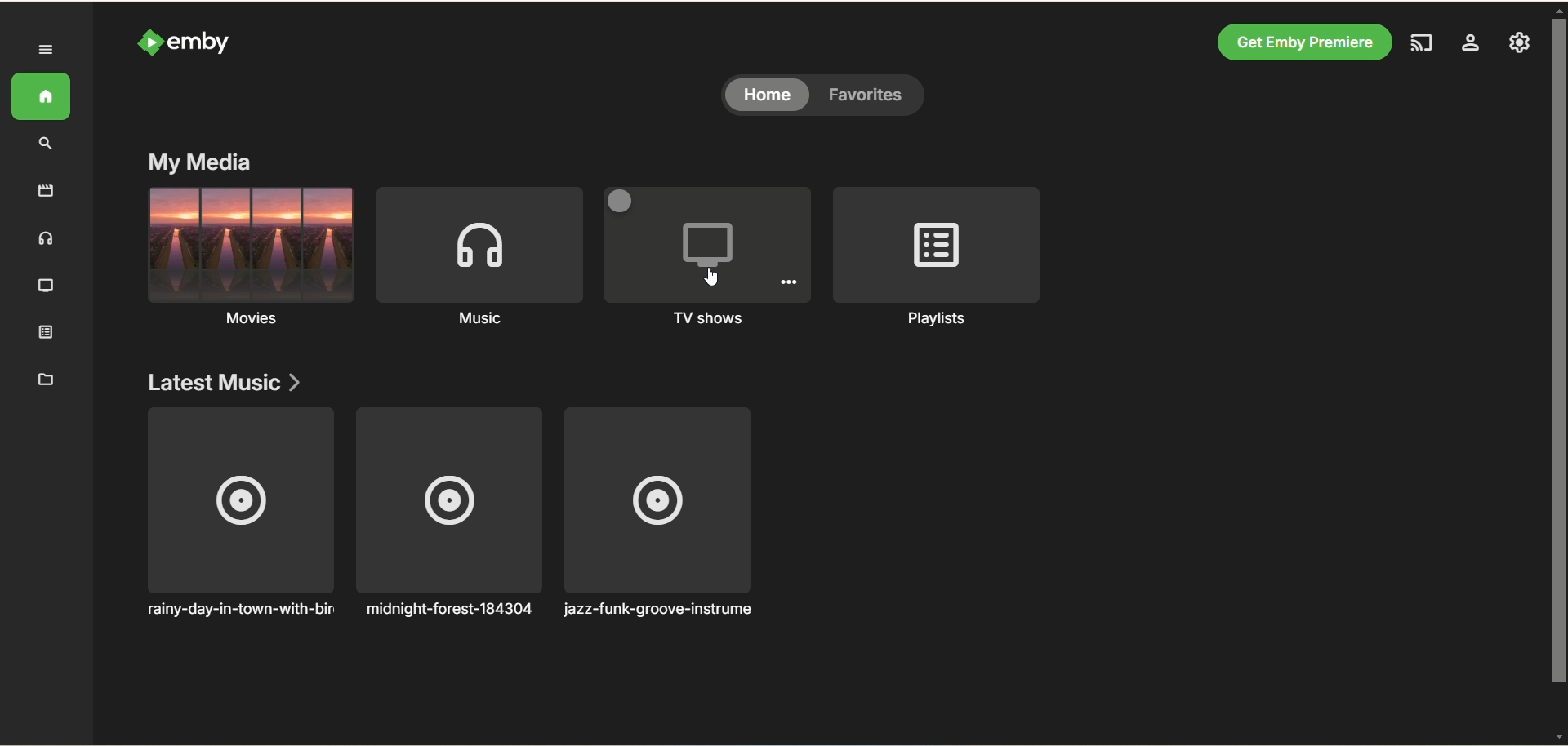 This screenshot has width=1568, height=746. Describe the element at coordinates (713, 277) in the screenshot. I see `cursor` at that location.